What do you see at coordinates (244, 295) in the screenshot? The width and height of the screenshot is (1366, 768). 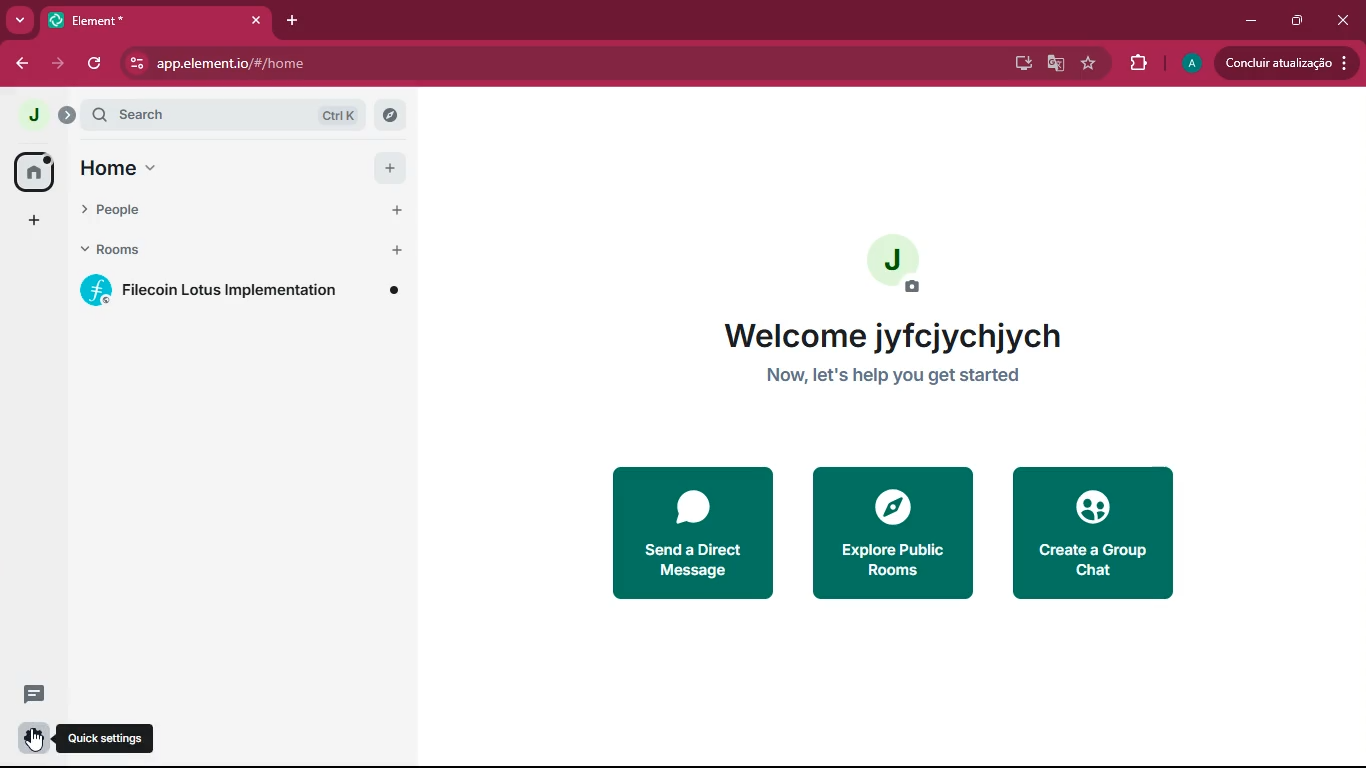 I see `filecoin lotus implementation` at bounding box center [244, 295].